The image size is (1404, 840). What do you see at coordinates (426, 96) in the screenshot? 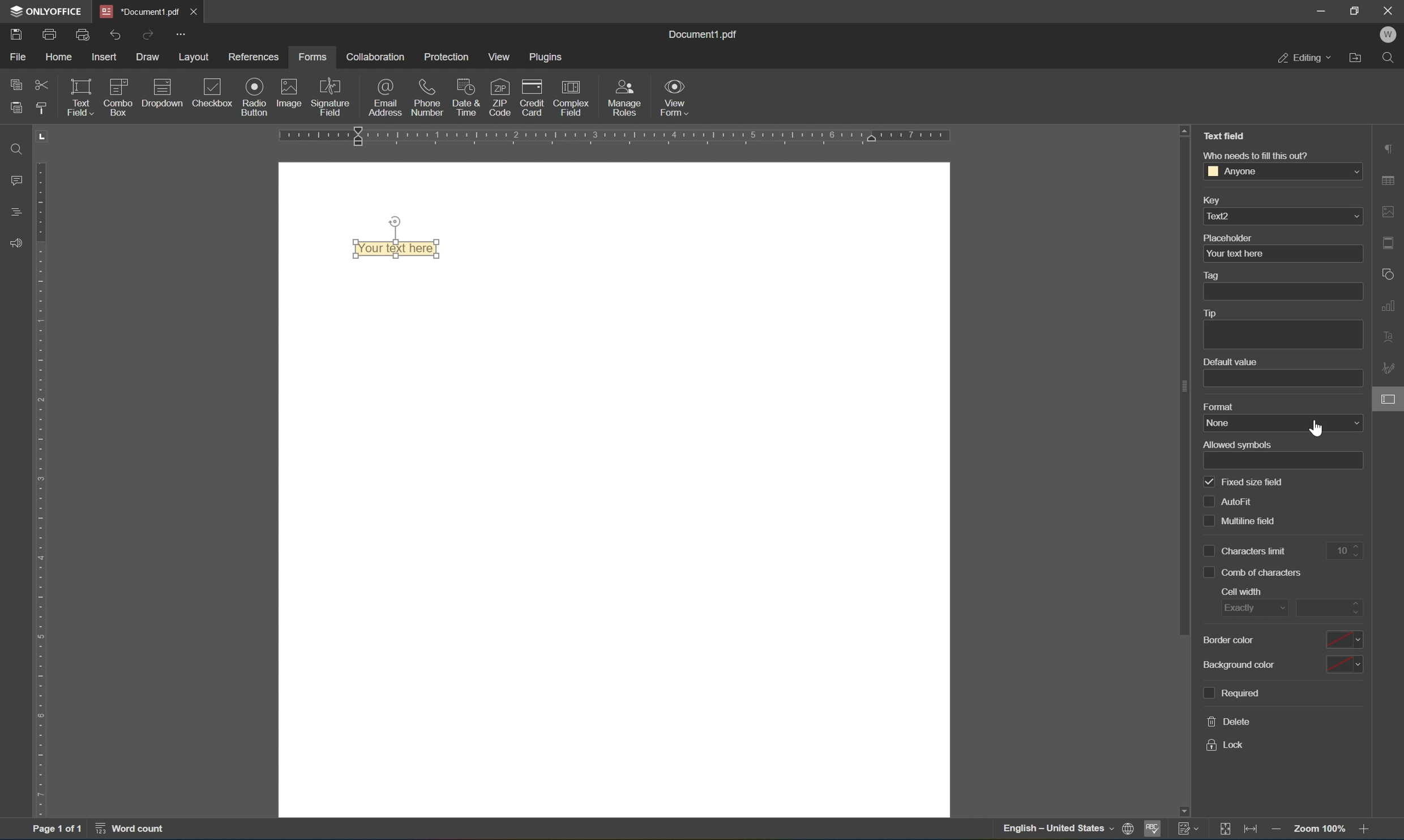
I see `phone number` at bounding box center [426, 96].